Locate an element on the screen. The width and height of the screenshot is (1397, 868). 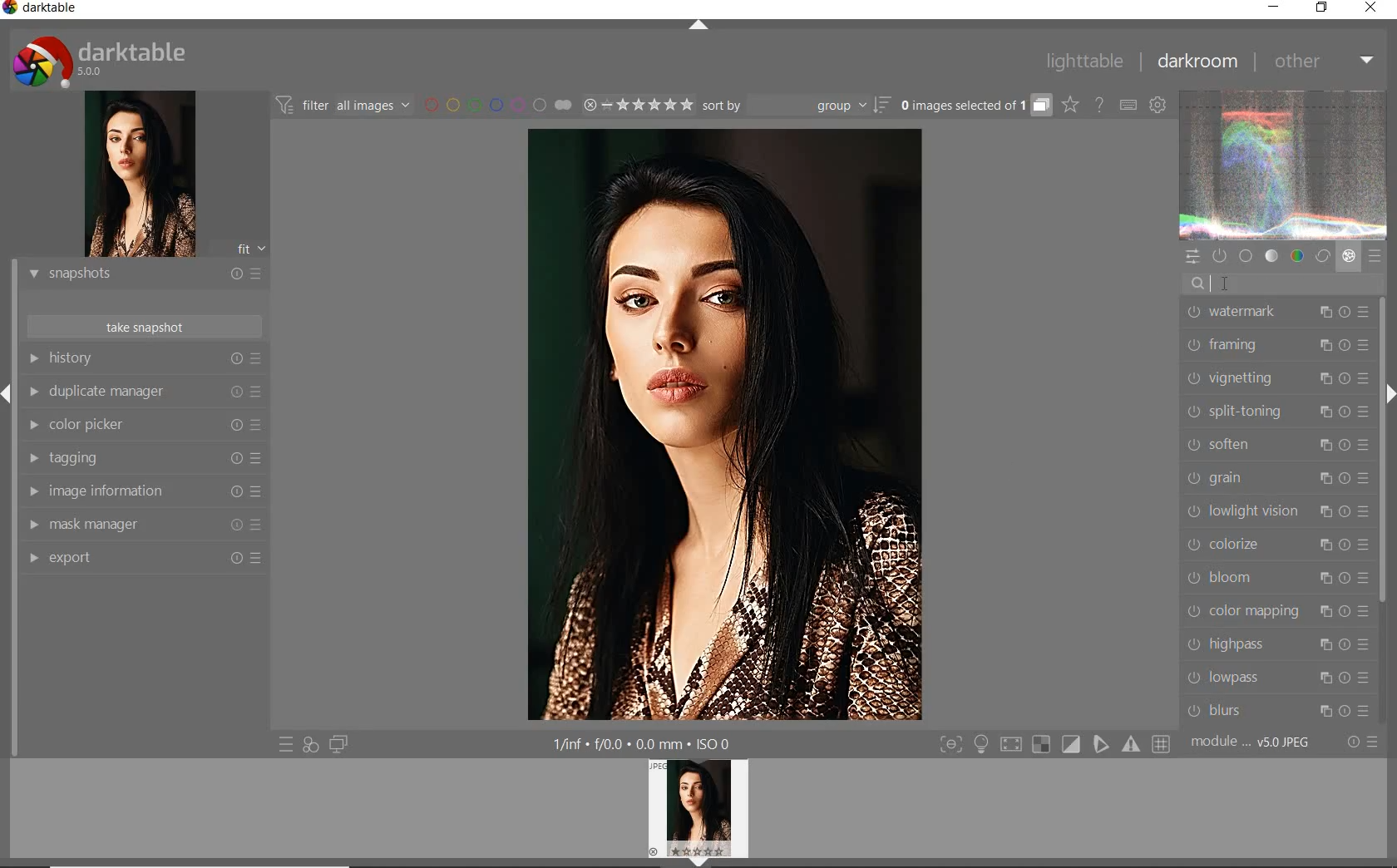
filter by image color is located at coordinates (497, 104).